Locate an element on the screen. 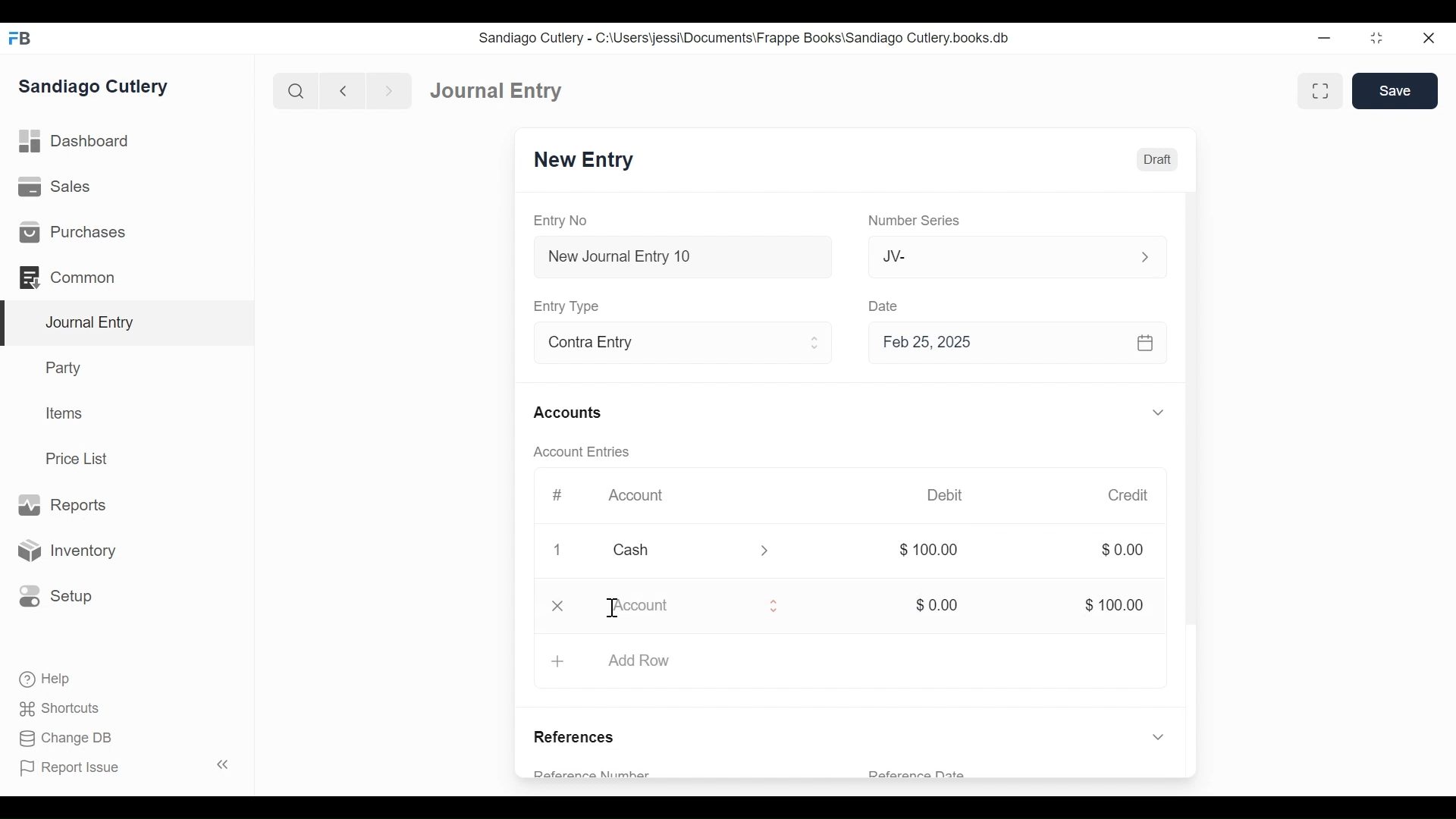  $100.00 is located at coordinates (1112, 605).